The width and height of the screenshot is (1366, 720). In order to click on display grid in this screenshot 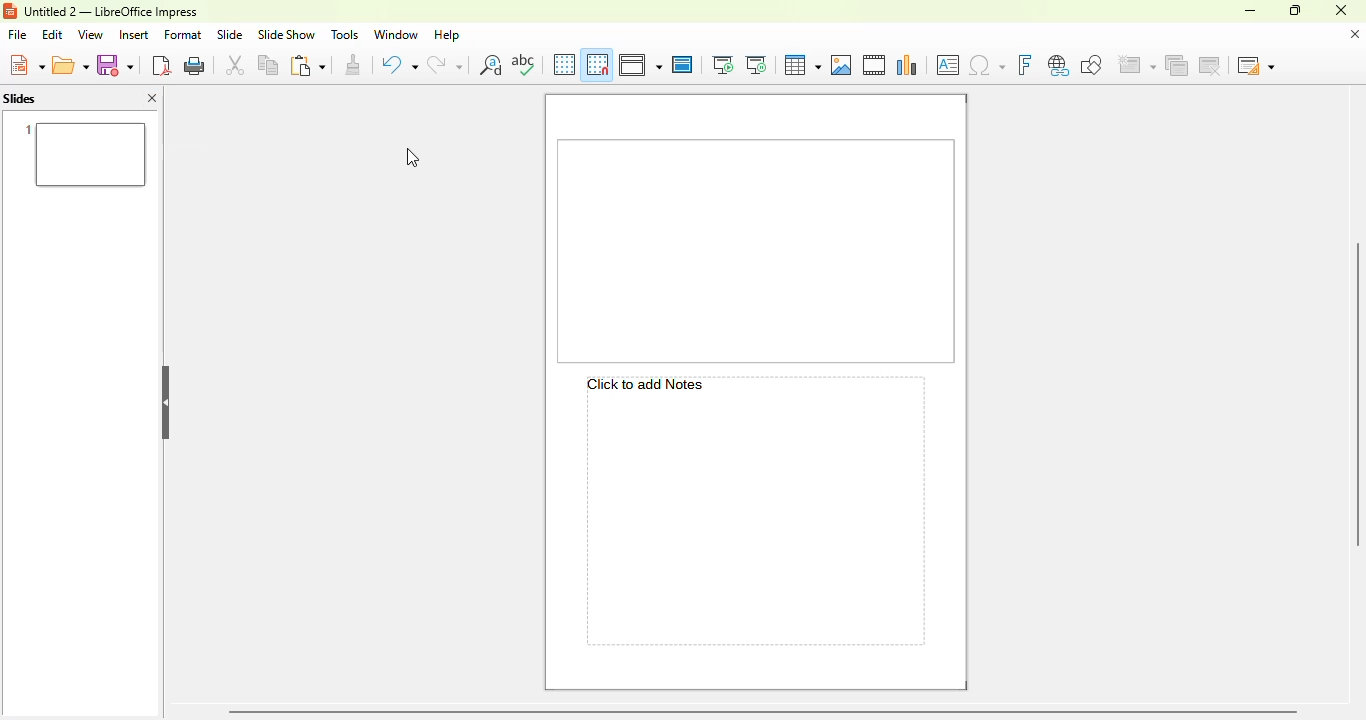, I will do `click(564, 65)`.